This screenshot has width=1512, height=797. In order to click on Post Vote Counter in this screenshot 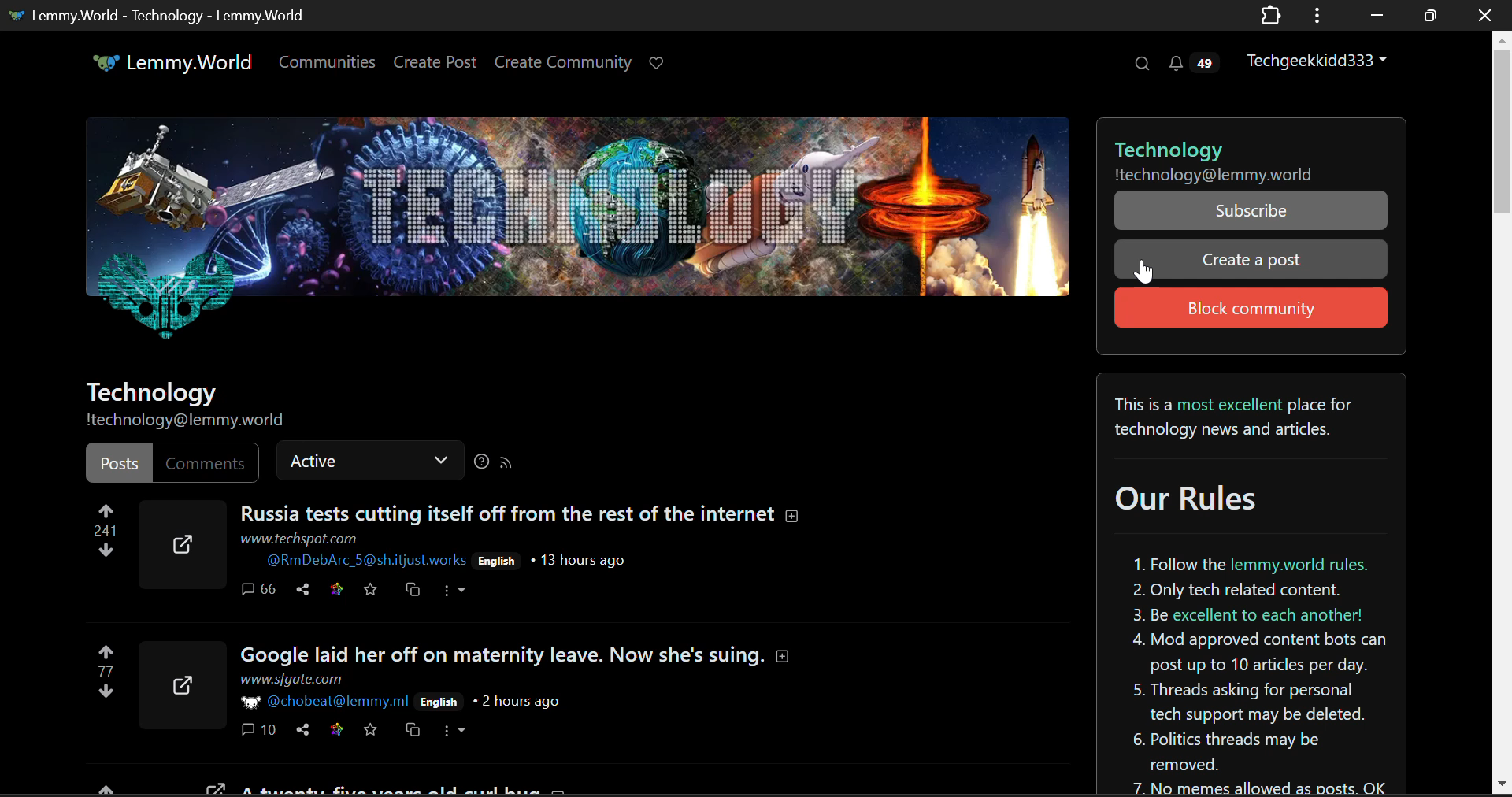, I will do `click(107, 672)`.